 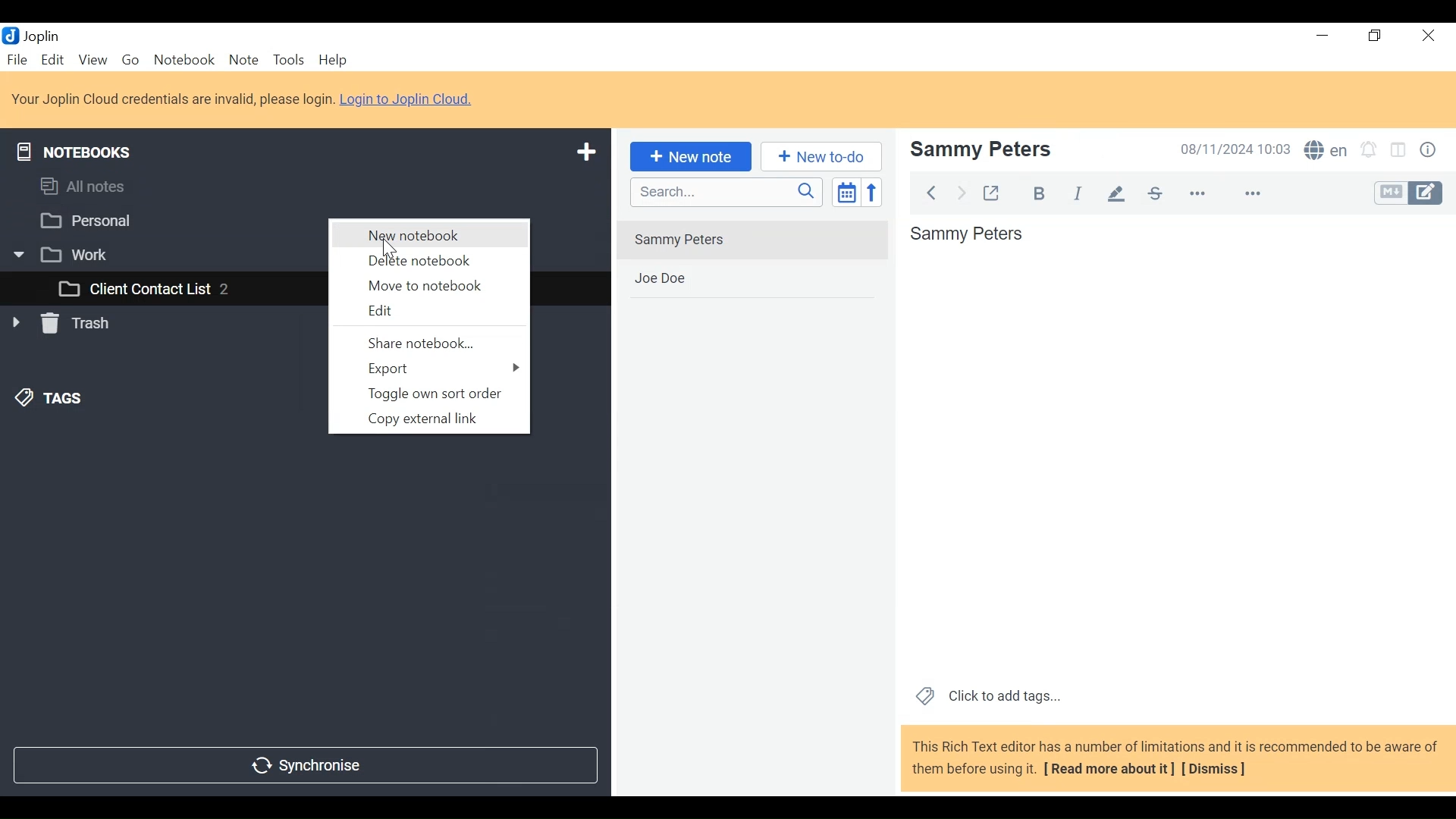 What do you see at coordinates (727, 193) in the screenshot?
I see `Search` at bounding box center [727, 193].